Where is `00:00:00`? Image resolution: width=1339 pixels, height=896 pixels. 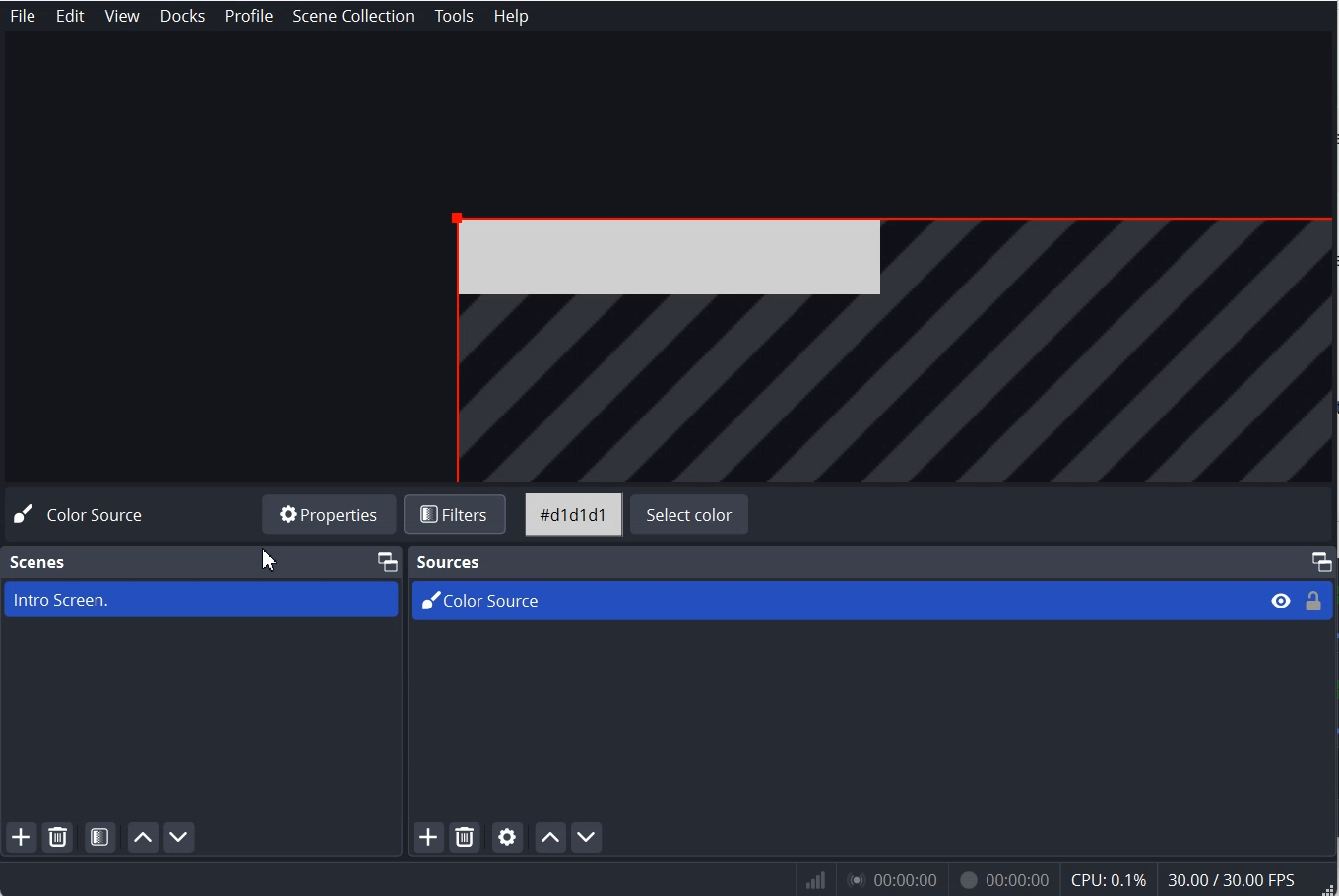
00:00:00 is located at coordinates (1000, 882).